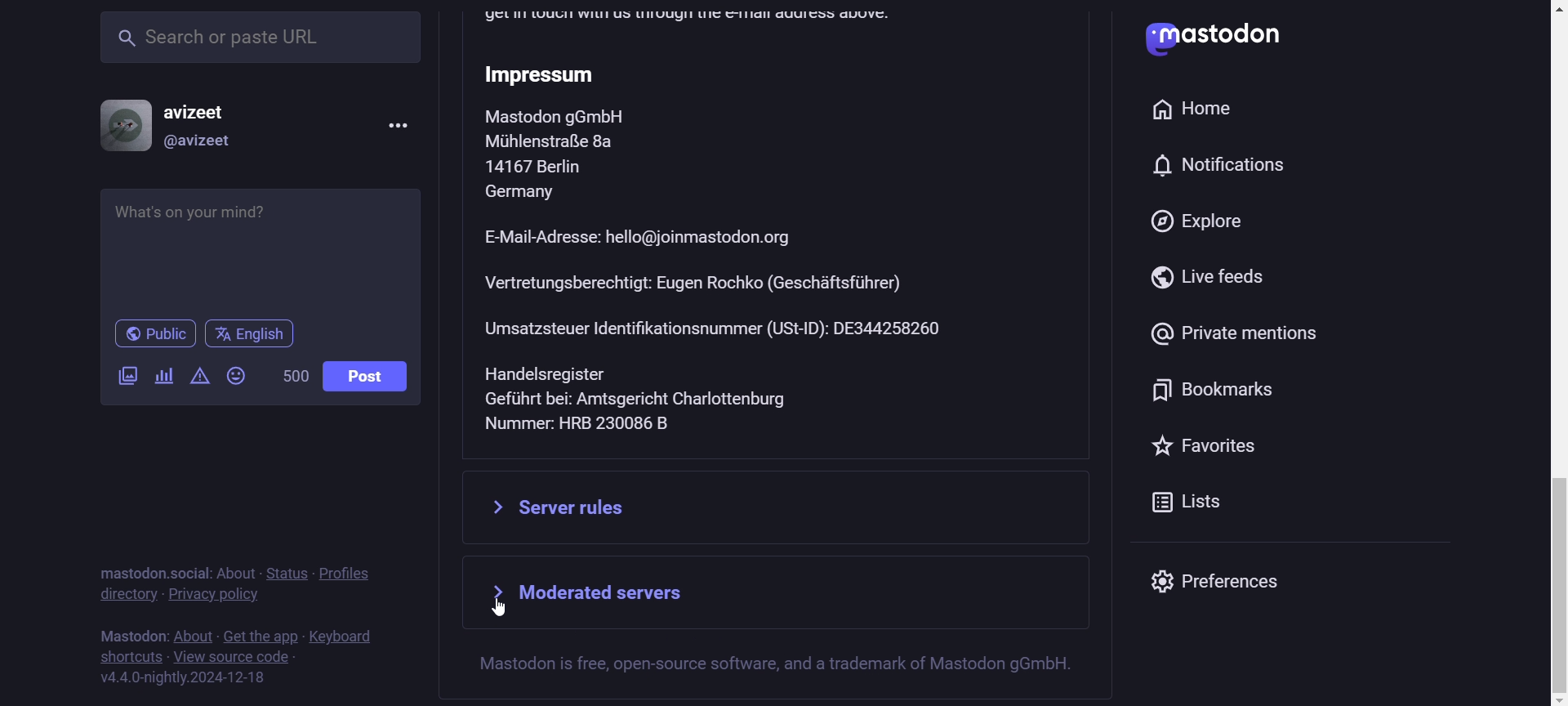 The height and width of the screenshot is (706, 1568). I want to click on text, so click(130, 632).